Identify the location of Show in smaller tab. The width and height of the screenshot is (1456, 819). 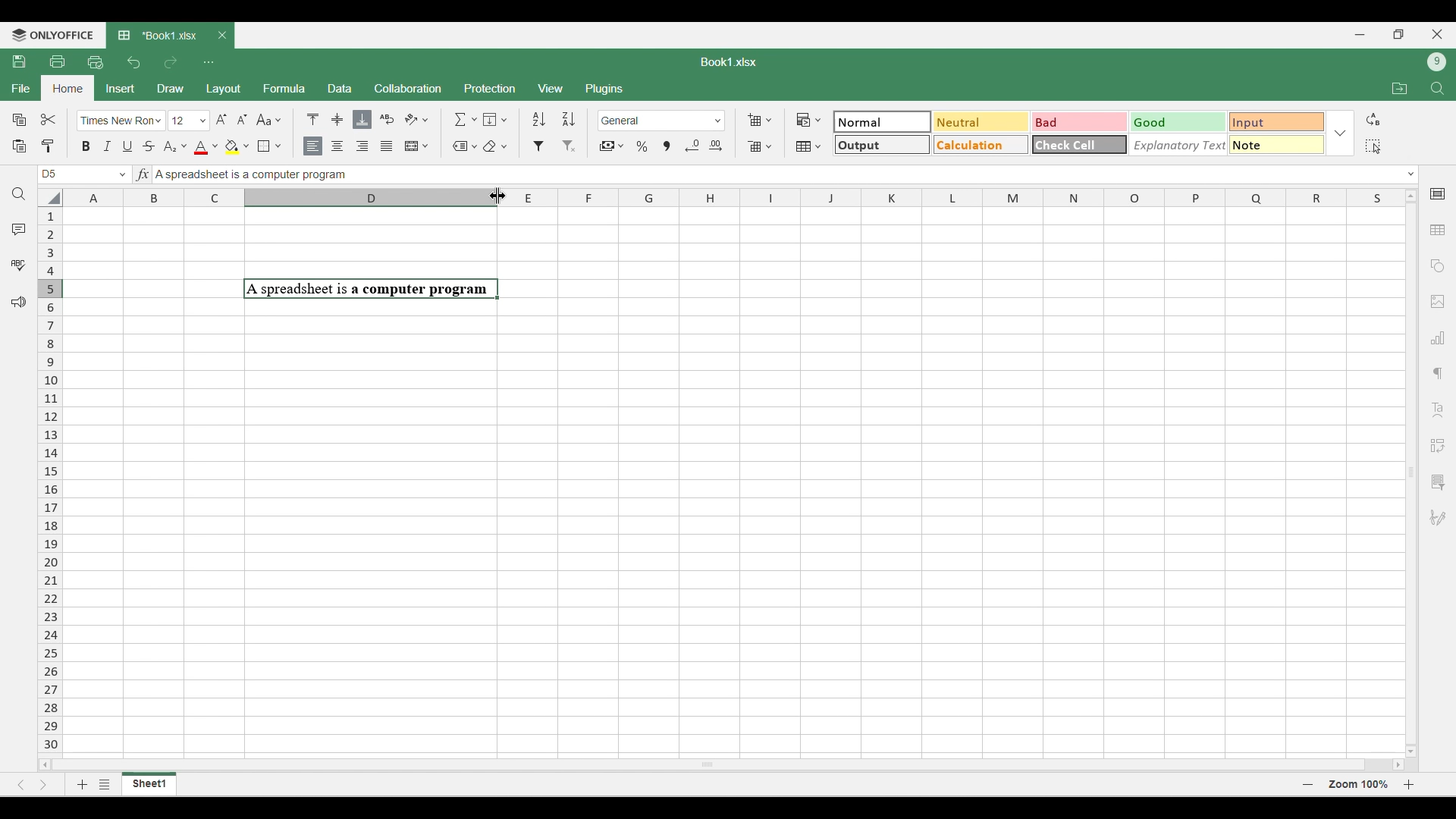
(1399, 34).